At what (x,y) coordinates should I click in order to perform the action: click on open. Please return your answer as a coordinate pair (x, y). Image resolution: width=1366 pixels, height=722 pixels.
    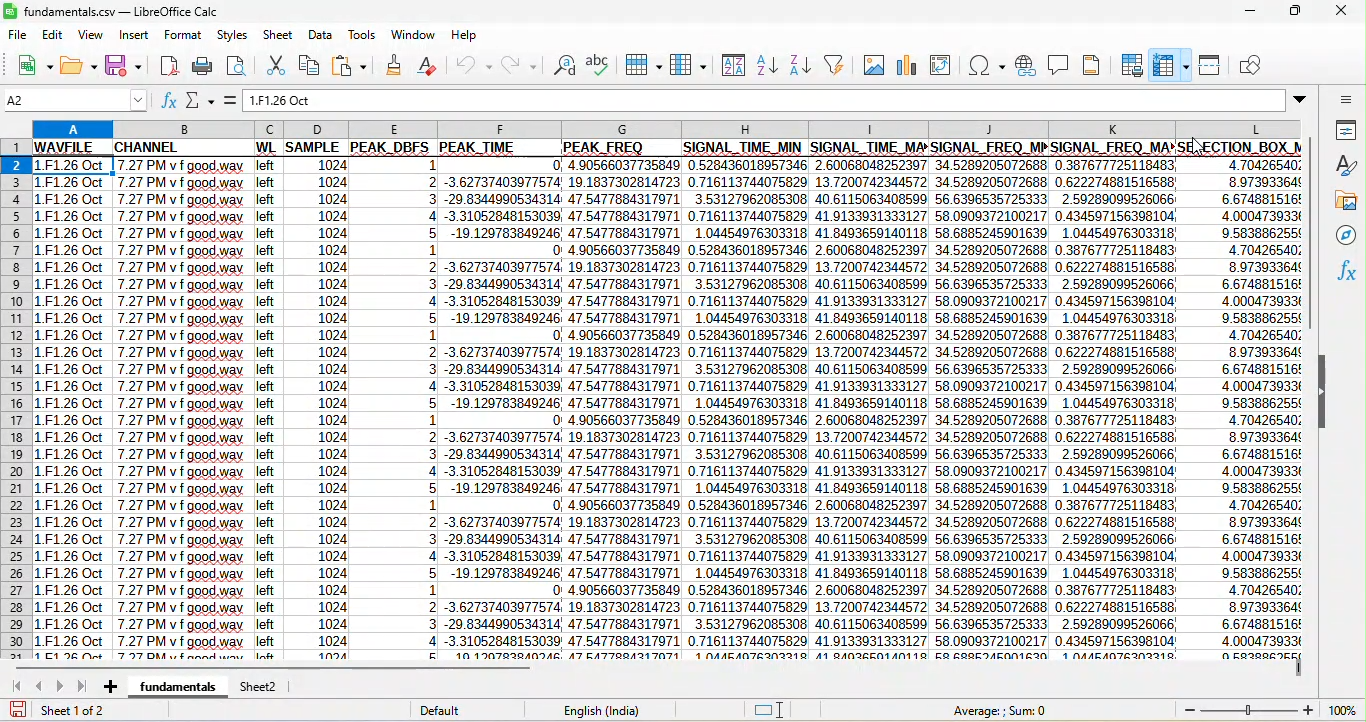
    Looking at the image, I should click on (80, 67).